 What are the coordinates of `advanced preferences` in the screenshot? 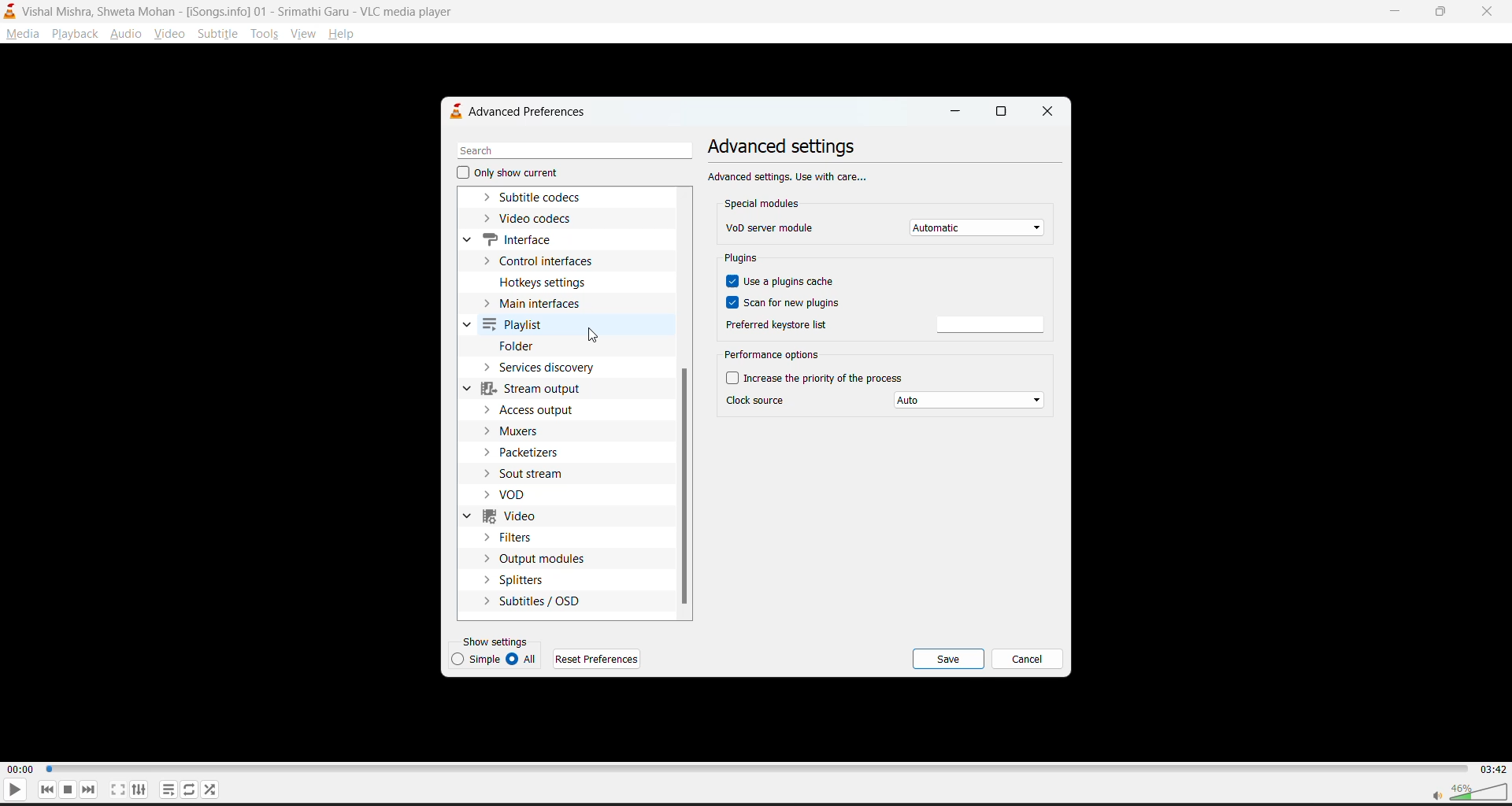 It's located at (525, 113).